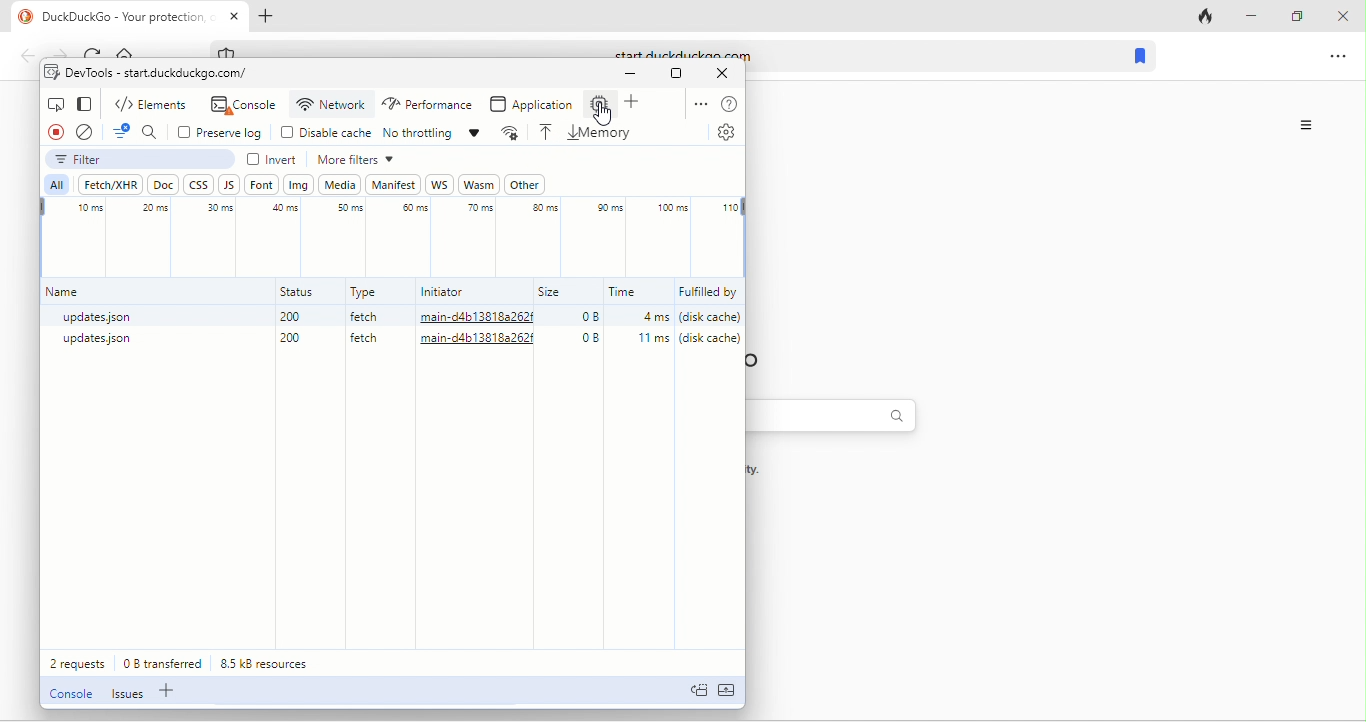  What do you see at coordinates (699, 103) in the screenshot?
I see `option` at bounding box center [699, 103].